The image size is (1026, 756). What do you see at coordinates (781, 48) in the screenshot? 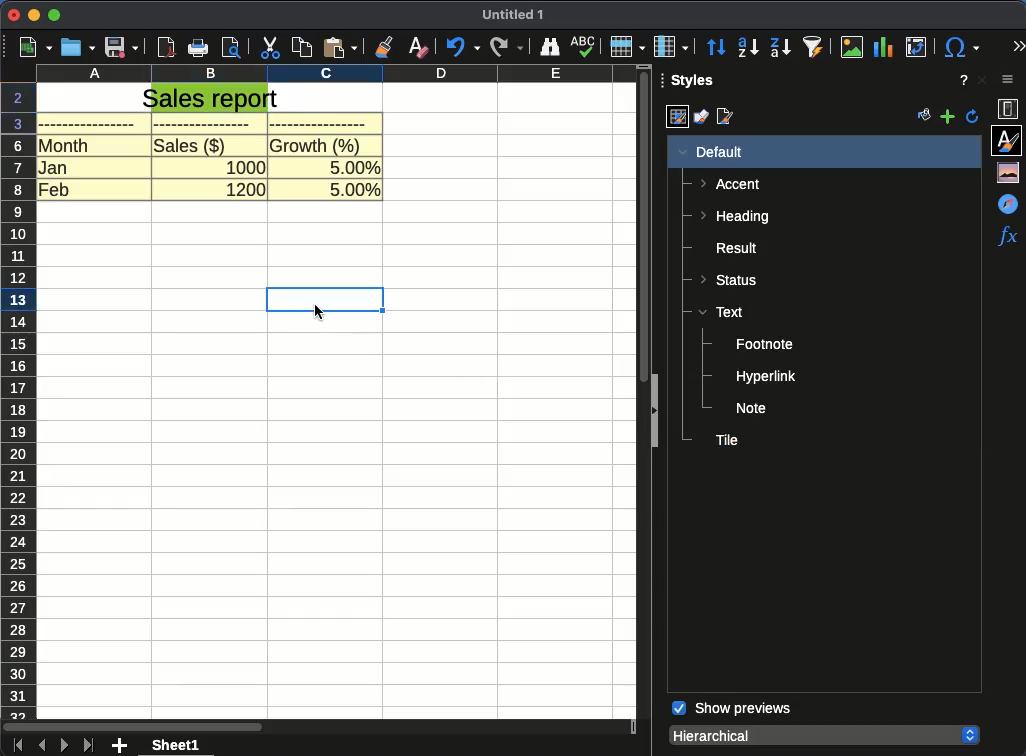
I see `descending ` at bounding box center [781, 48].